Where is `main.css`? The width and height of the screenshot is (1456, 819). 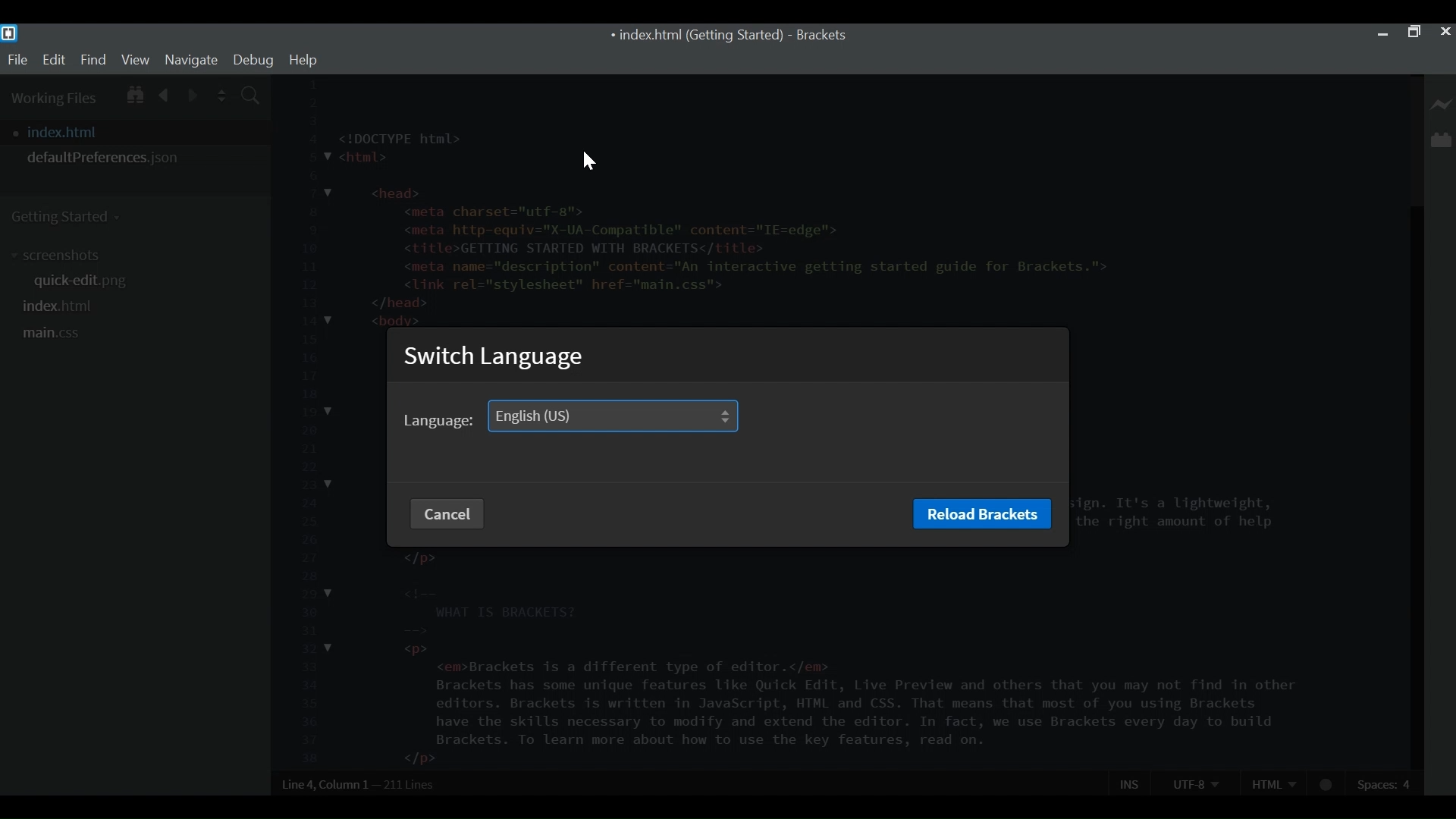
main.css is located at coordinates (52, 334).